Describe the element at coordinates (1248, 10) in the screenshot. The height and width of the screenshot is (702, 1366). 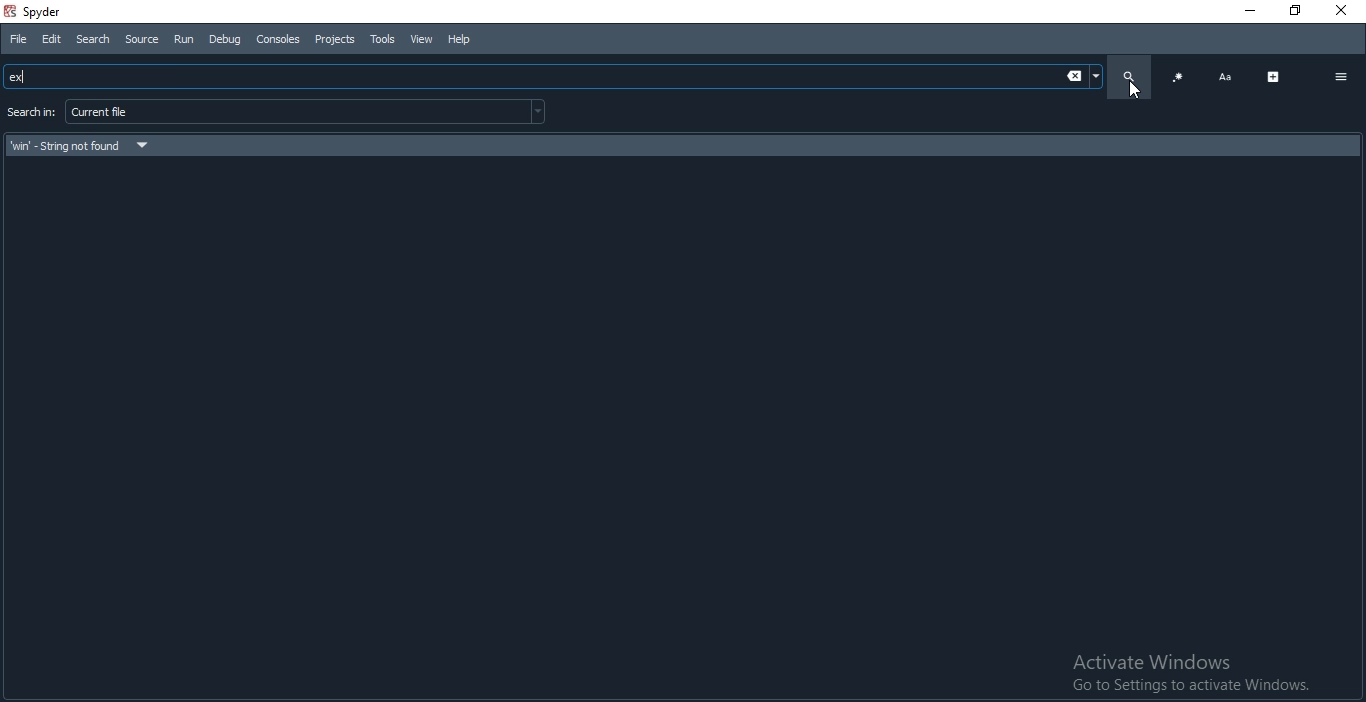
I see `Minimise` at that location.